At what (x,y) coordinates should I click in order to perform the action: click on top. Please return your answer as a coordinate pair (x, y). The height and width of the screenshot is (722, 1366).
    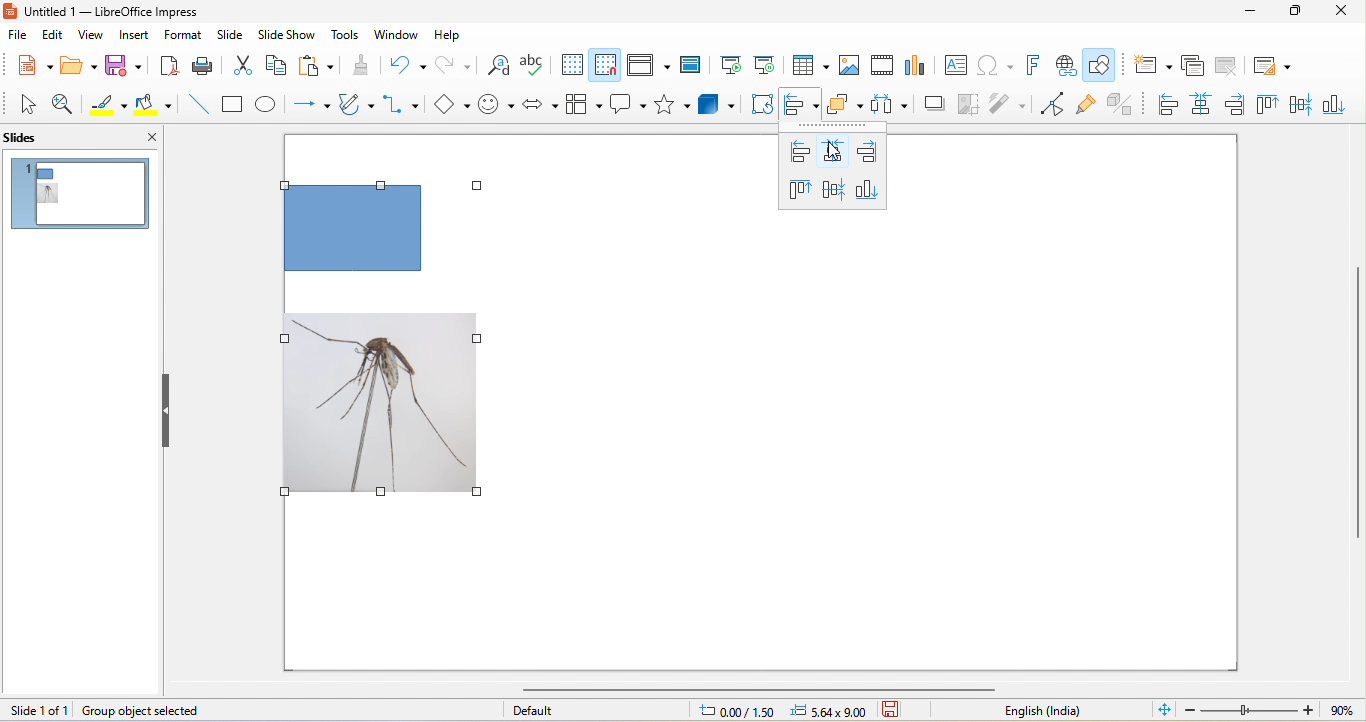
    Looking at the image, I should click on (800, 191).